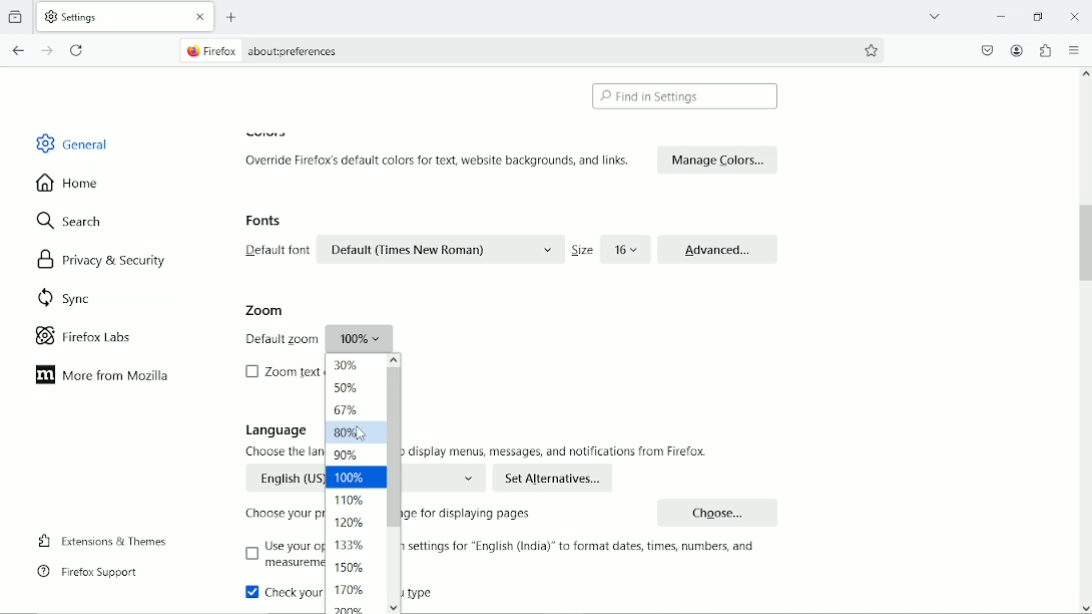 The image size is (1092, 614). Describe the element at coordinates (347, 432) in the screenshot. I see `80%` at that location.